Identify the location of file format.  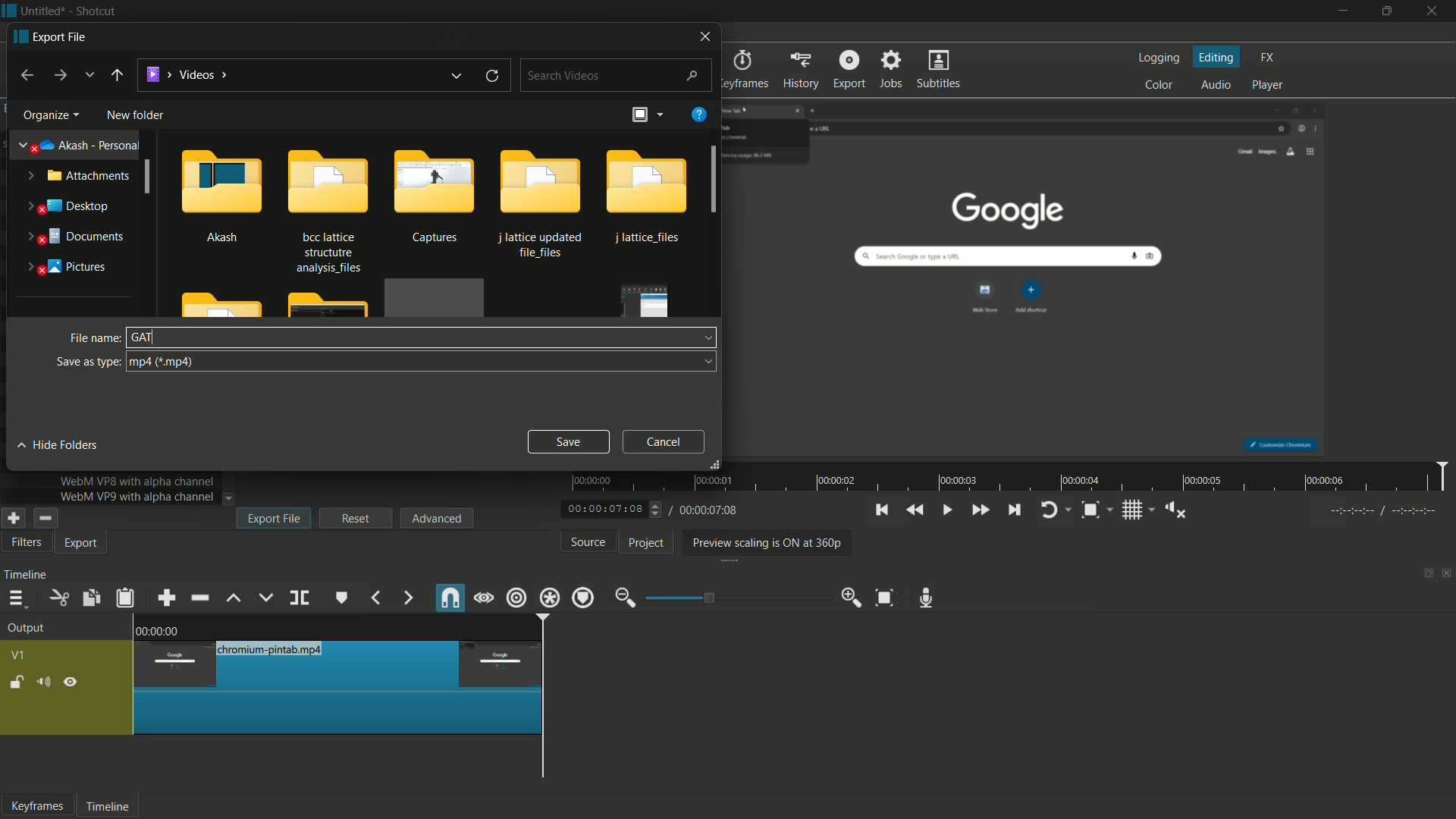
(422, 362).